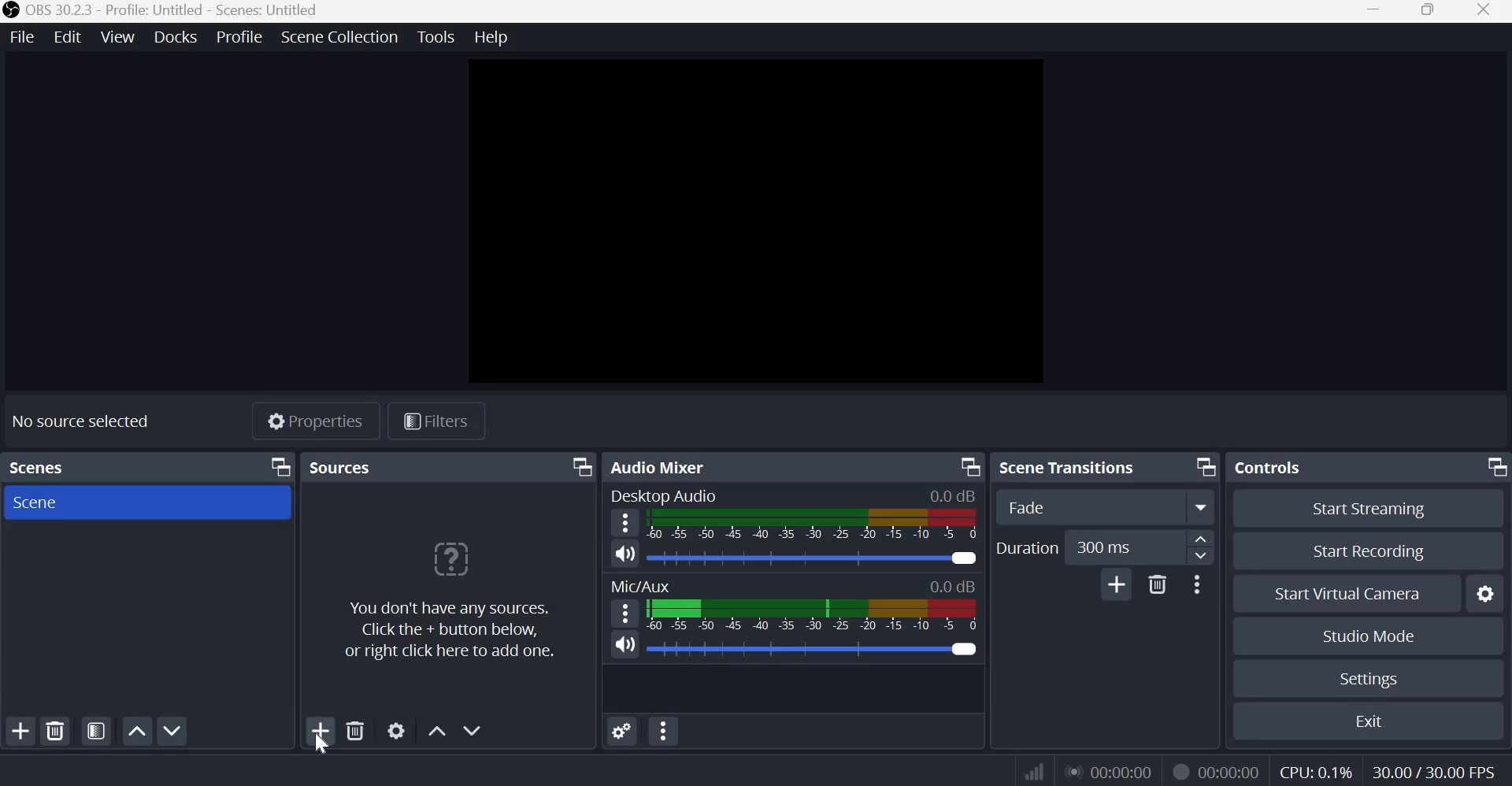 The image size is (1512, 786). Describe the element at coordinates (662, 466) in the screenshot. I see `Audio mixer` at that location.